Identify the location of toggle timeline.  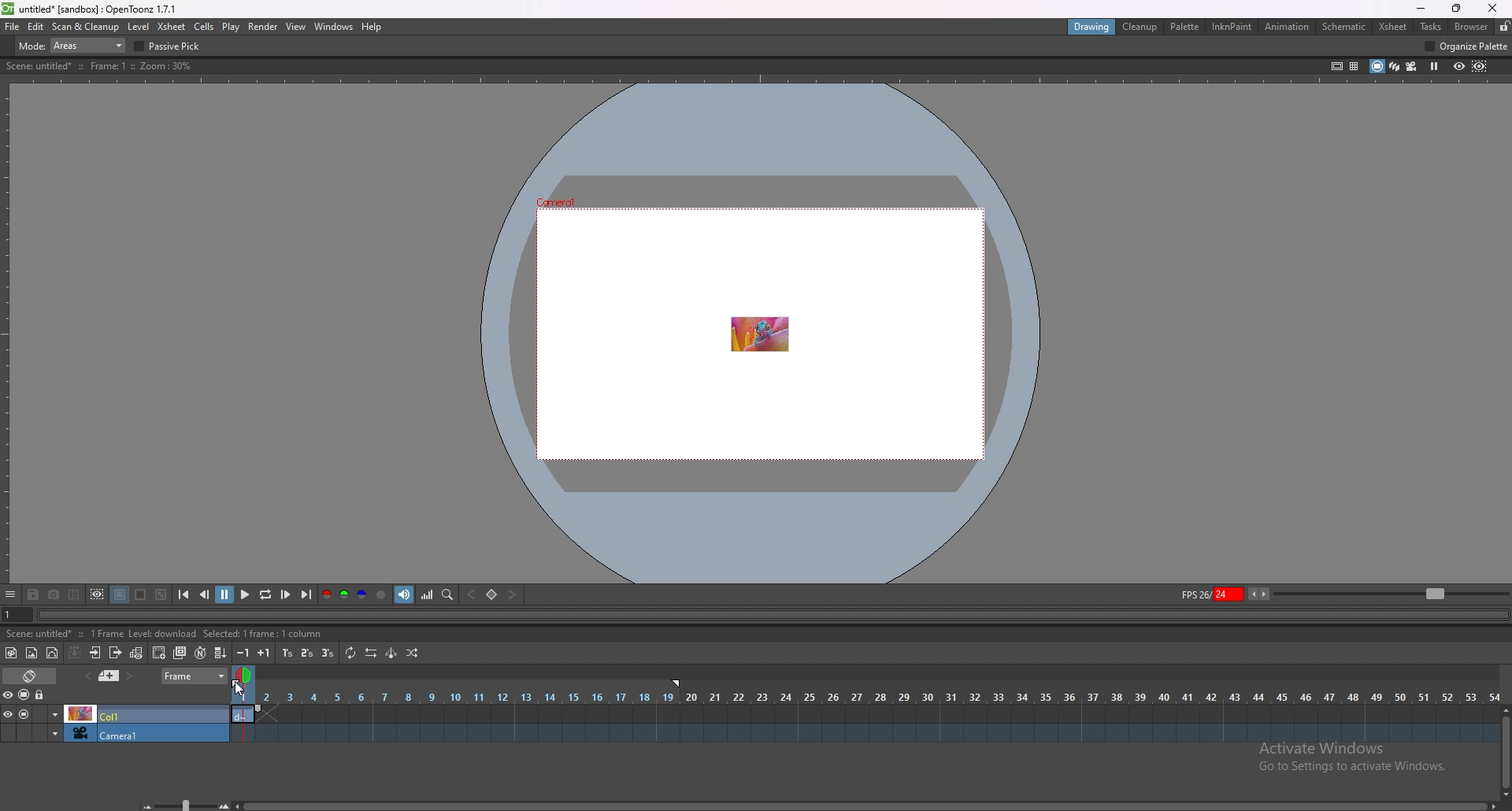
(30, 676).